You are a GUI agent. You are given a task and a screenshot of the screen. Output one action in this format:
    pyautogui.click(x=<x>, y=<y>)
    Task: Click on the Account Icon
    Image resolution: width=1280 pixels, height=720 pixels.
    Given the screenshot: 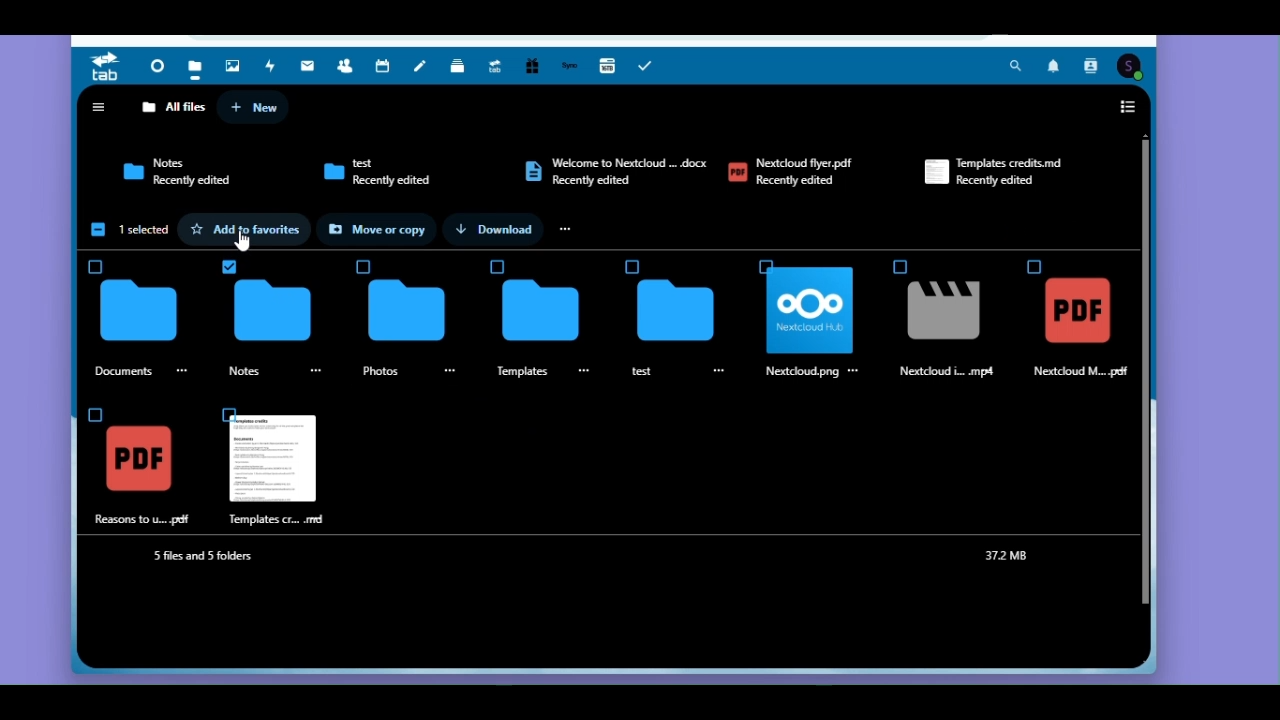 What is the action you would take?
    pyautogui.click(x=1131, y=67)
    